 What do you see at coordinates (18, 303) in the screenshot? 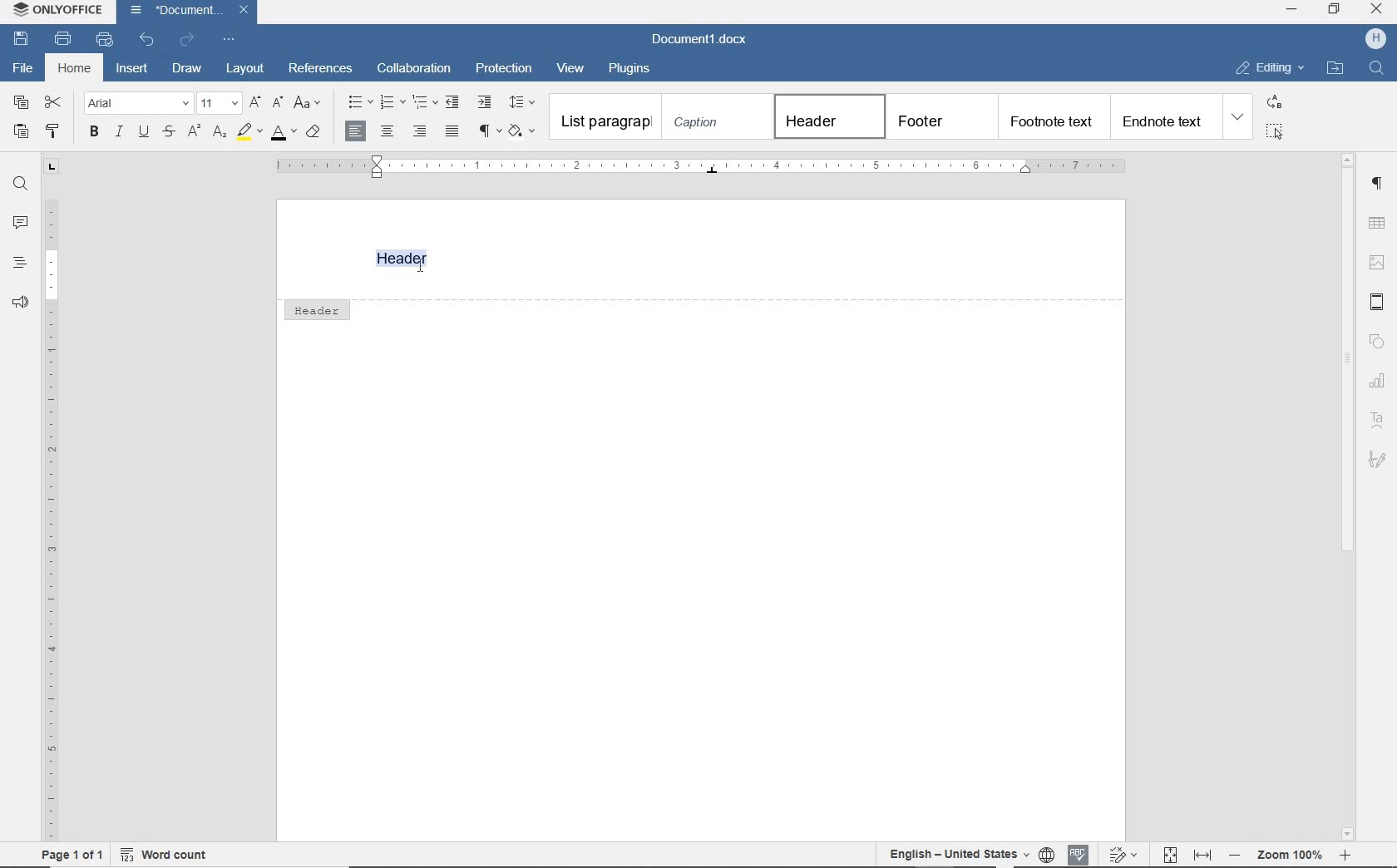
I see `feedback & support` at bounding box center [18, 303].